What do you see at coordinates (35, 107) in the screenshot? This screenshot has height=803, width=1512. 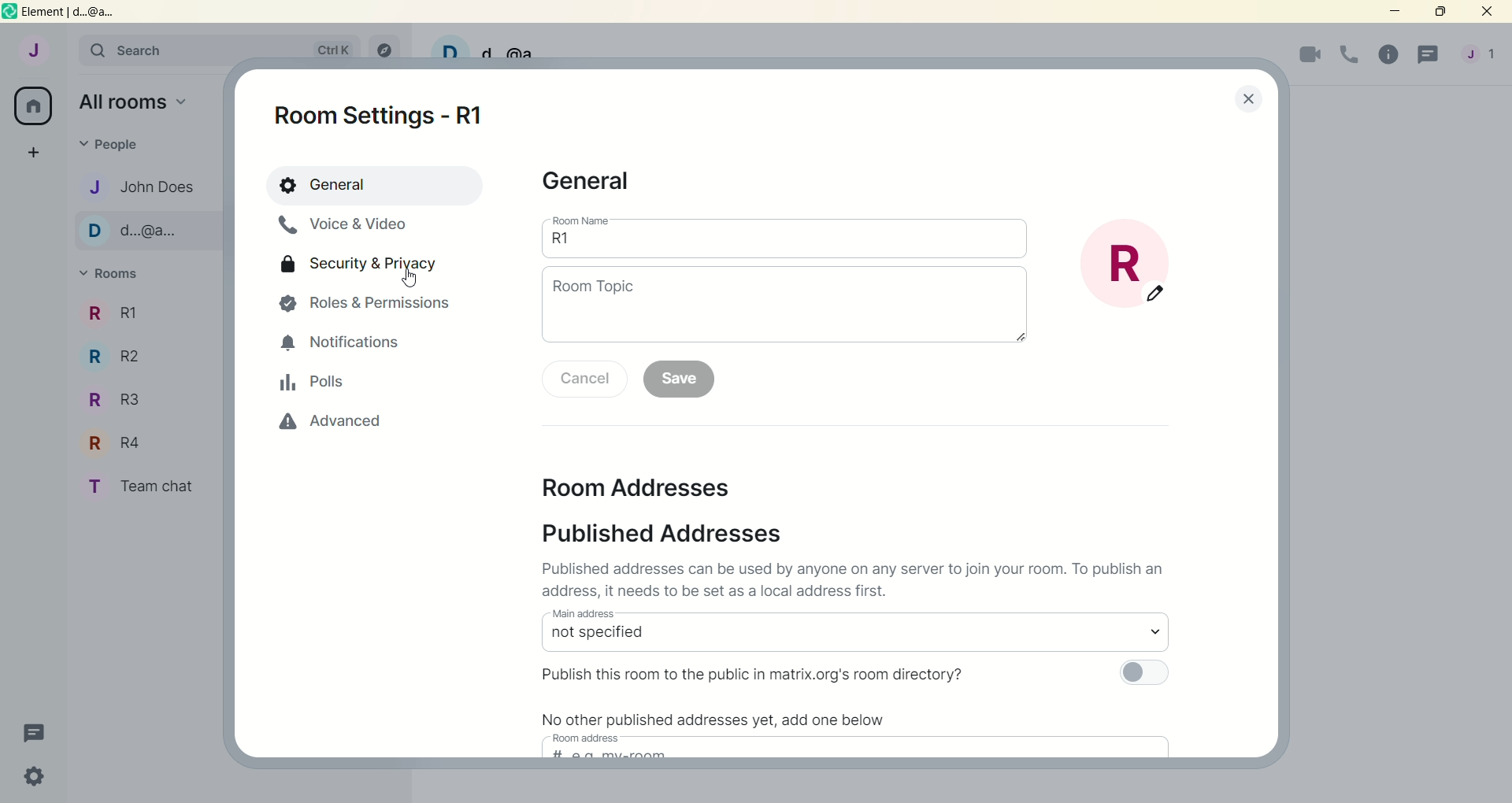 I see `all rooms` at bounding box center [35, 107].